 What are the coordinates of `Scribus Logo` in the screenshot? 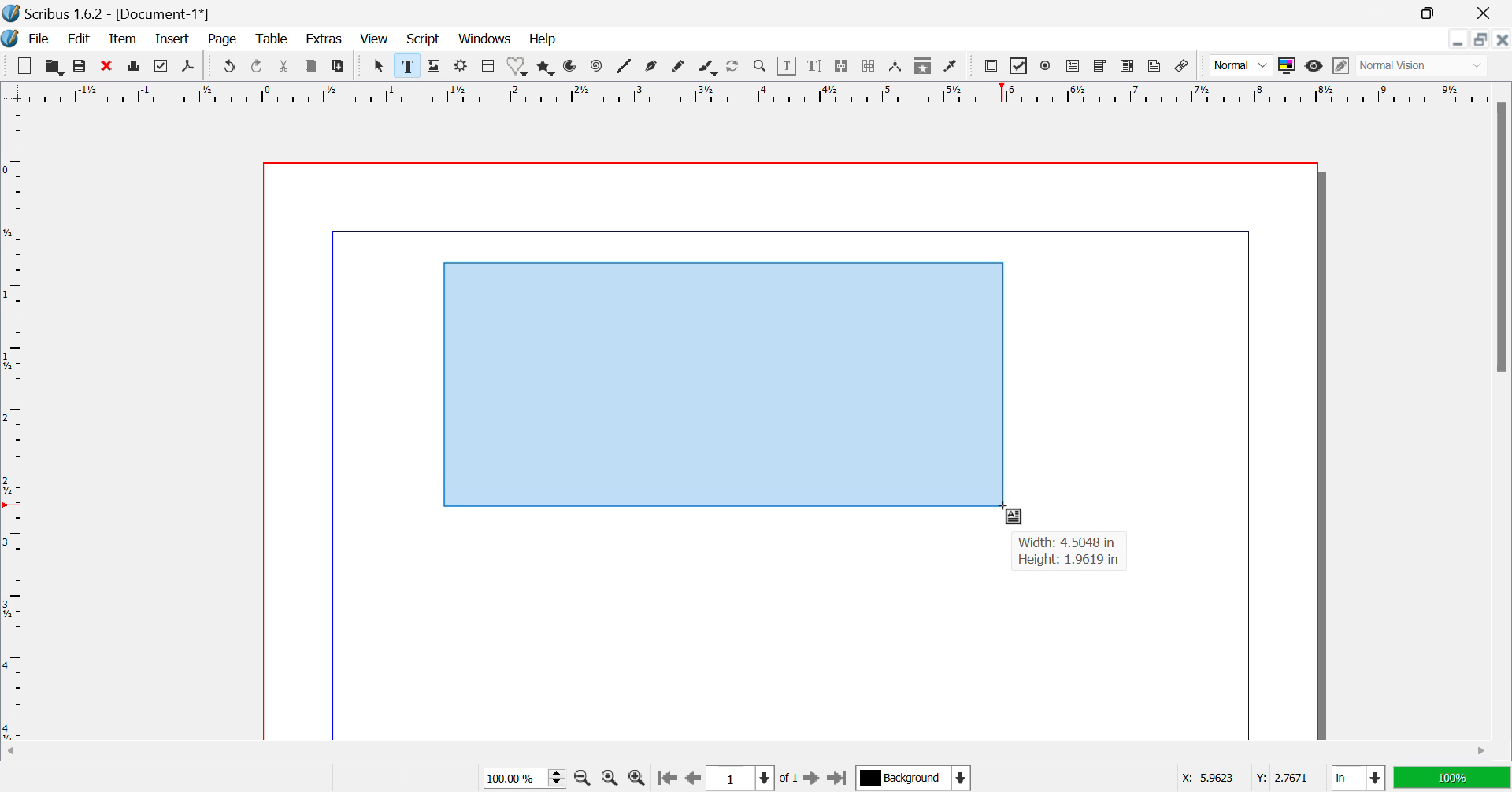 It's located at (11, 39).